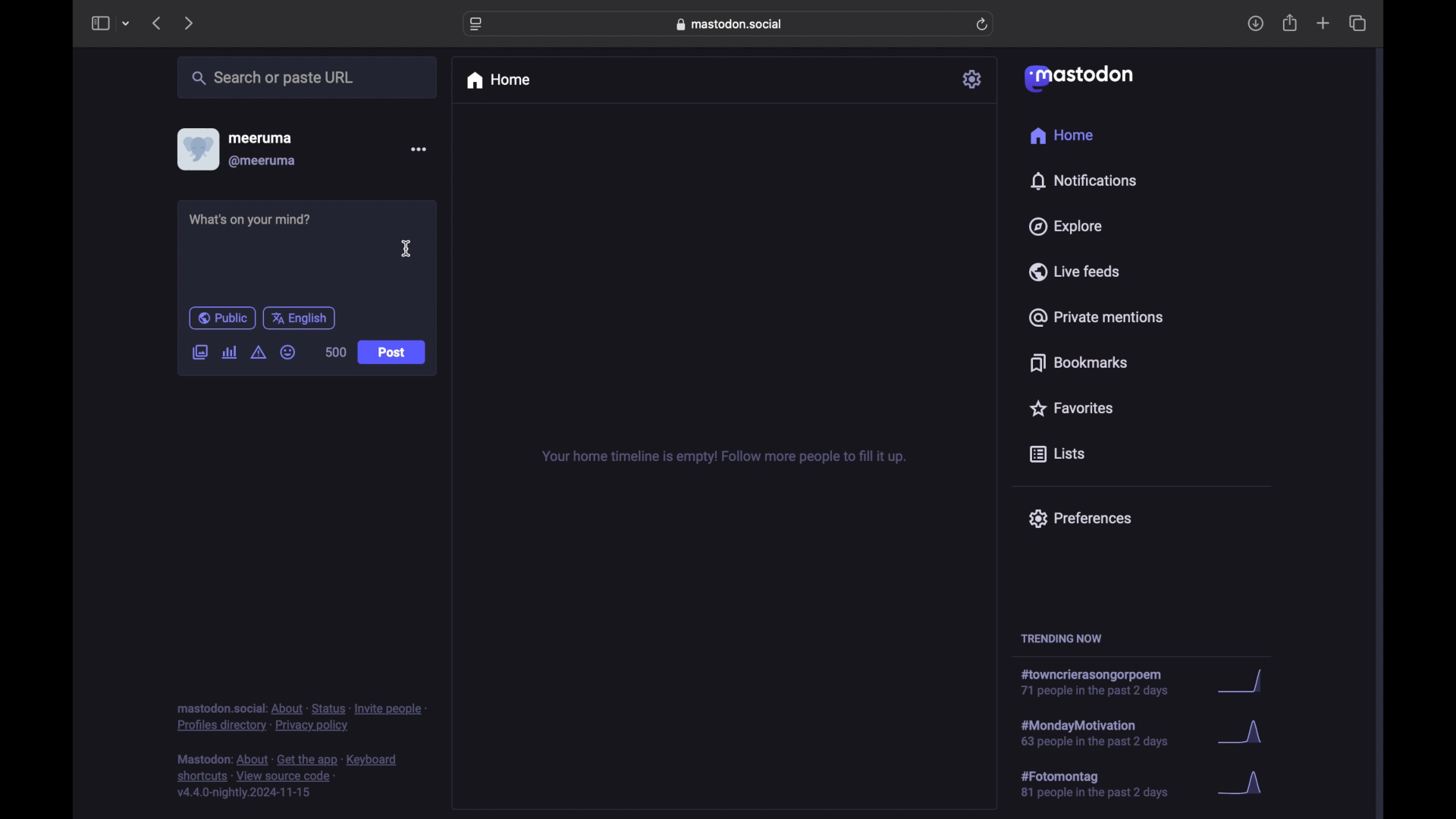  Describe the element at coordinates (1079, 79) in the screenshot. I see `mastodon` at that location.